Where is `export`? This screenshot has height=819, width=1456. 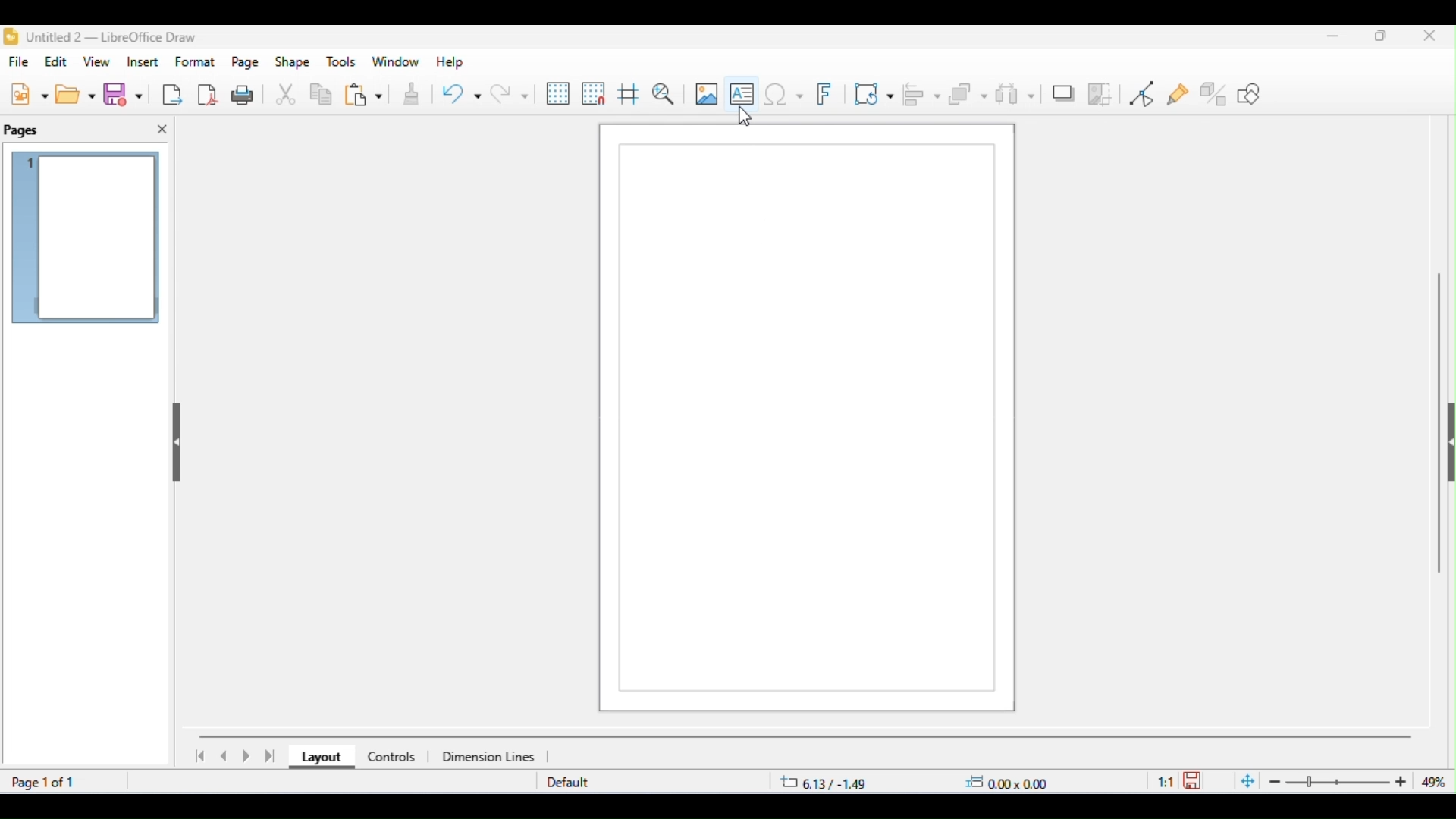
export is located at coordinates (171, 94).